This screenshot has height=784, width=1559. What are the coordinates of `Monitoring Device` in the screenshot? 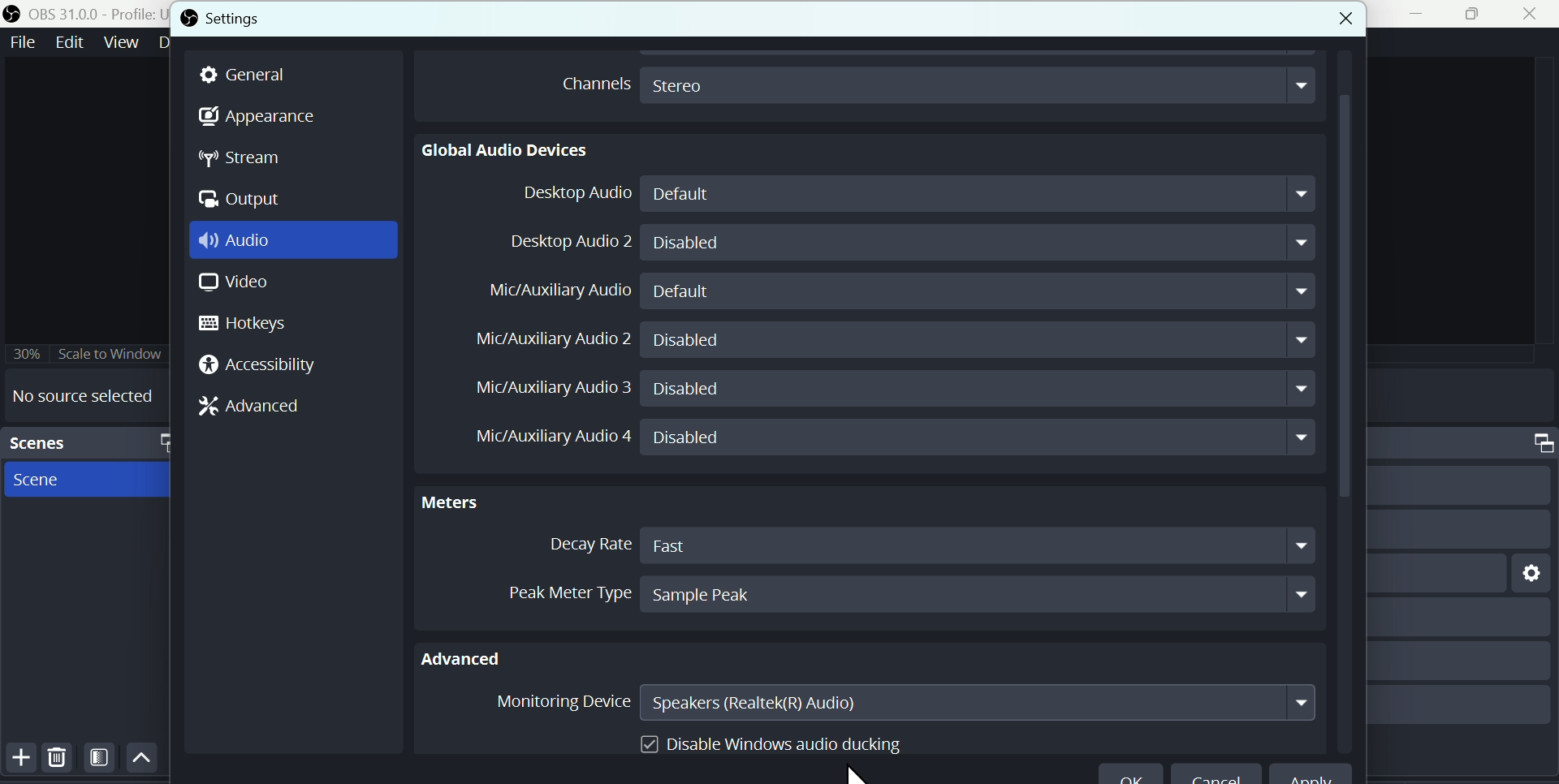 It's located at (559, 704).